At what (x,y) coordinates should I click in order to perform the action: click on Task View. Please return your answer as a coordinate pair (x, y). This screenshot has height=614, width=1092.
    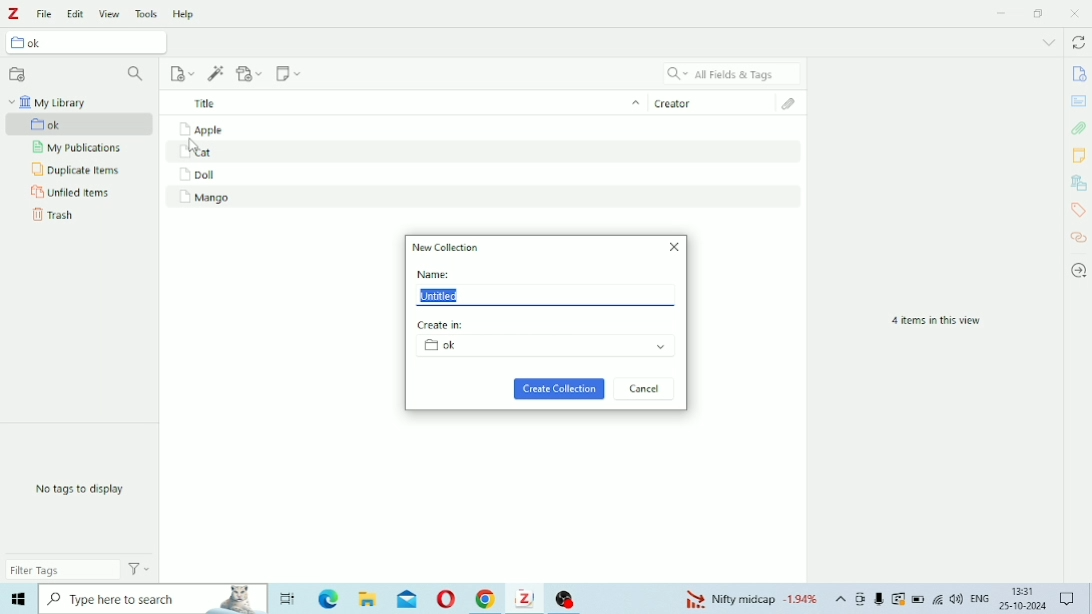
    Looking at the image, I should click on (288, 599).